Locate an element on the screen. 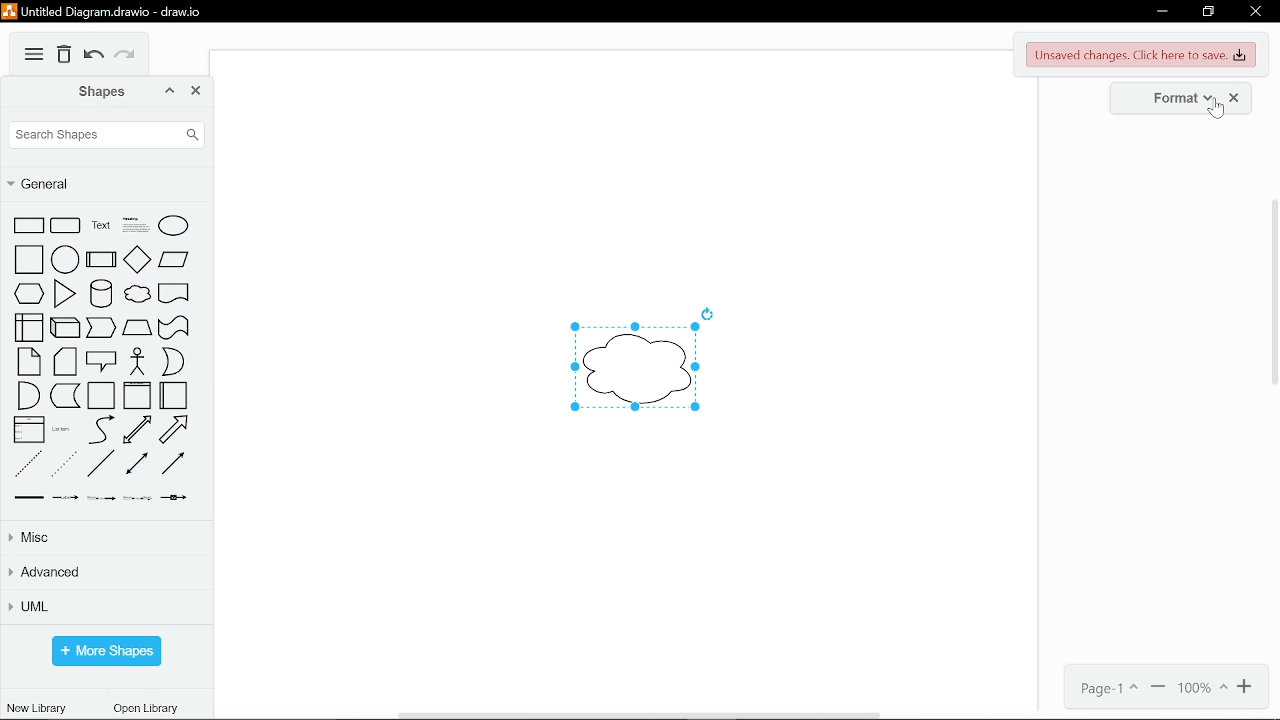 This screenshot has height=720, width=1280. vertical container is located at coordinates (138, 396).